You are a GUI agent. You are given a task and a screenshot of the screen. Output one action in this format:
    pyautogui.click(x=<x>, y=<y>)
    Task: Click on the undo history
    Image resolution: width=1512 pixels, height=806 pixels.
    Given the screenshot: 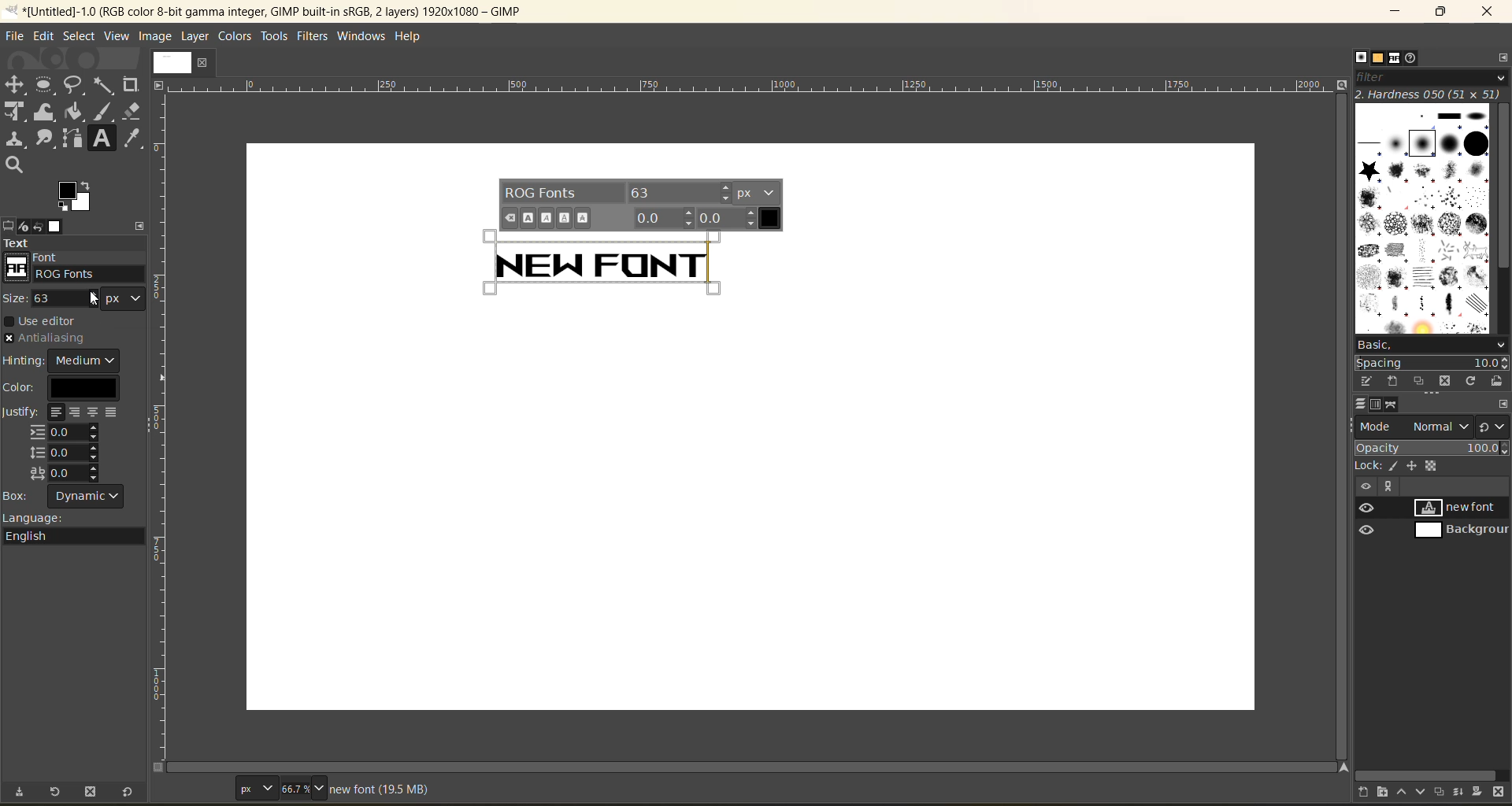 What is the action you would take?
    pyautogui.click(x=38, y=227)
    